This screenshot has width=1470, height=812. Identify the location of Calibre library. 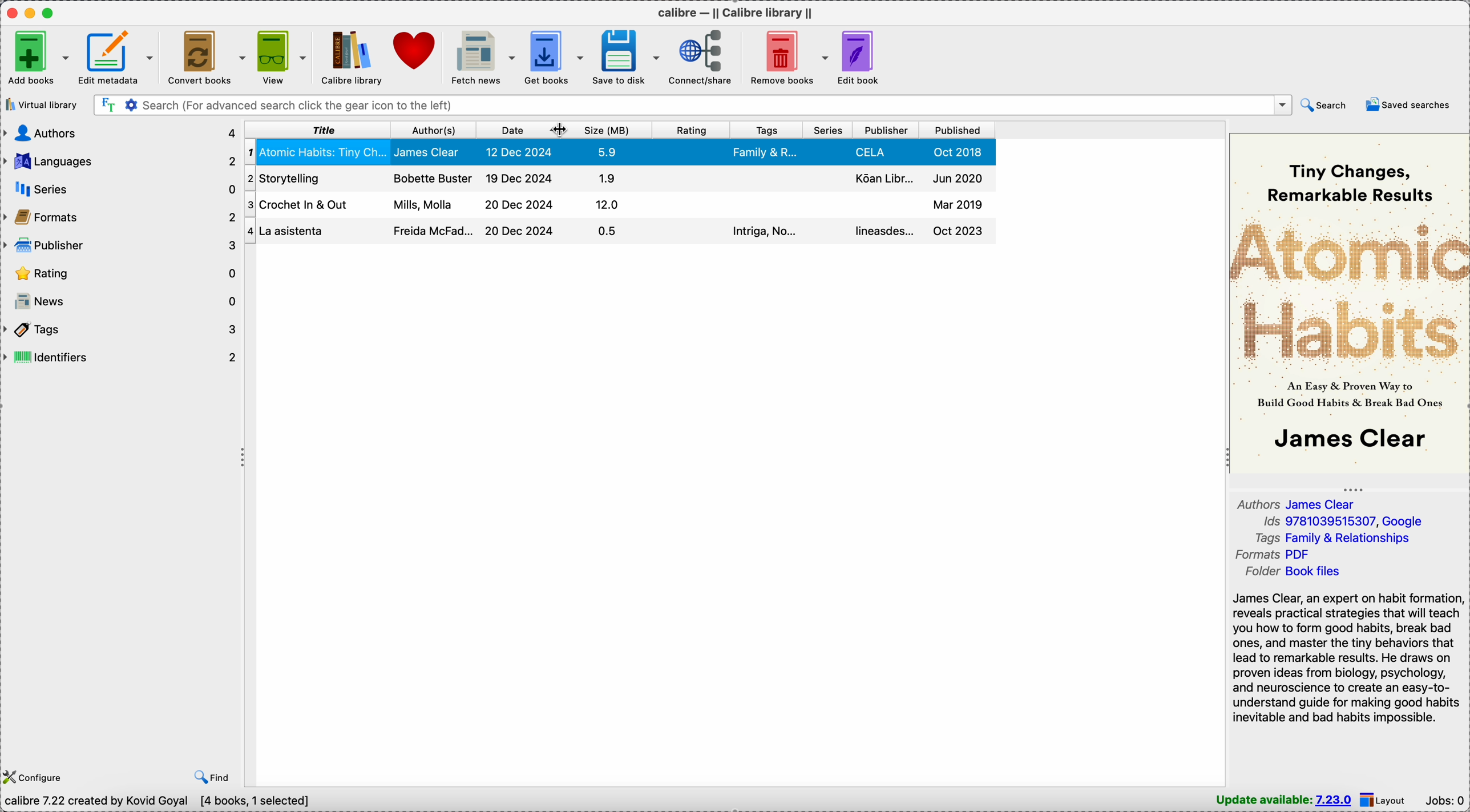
(349, 56).